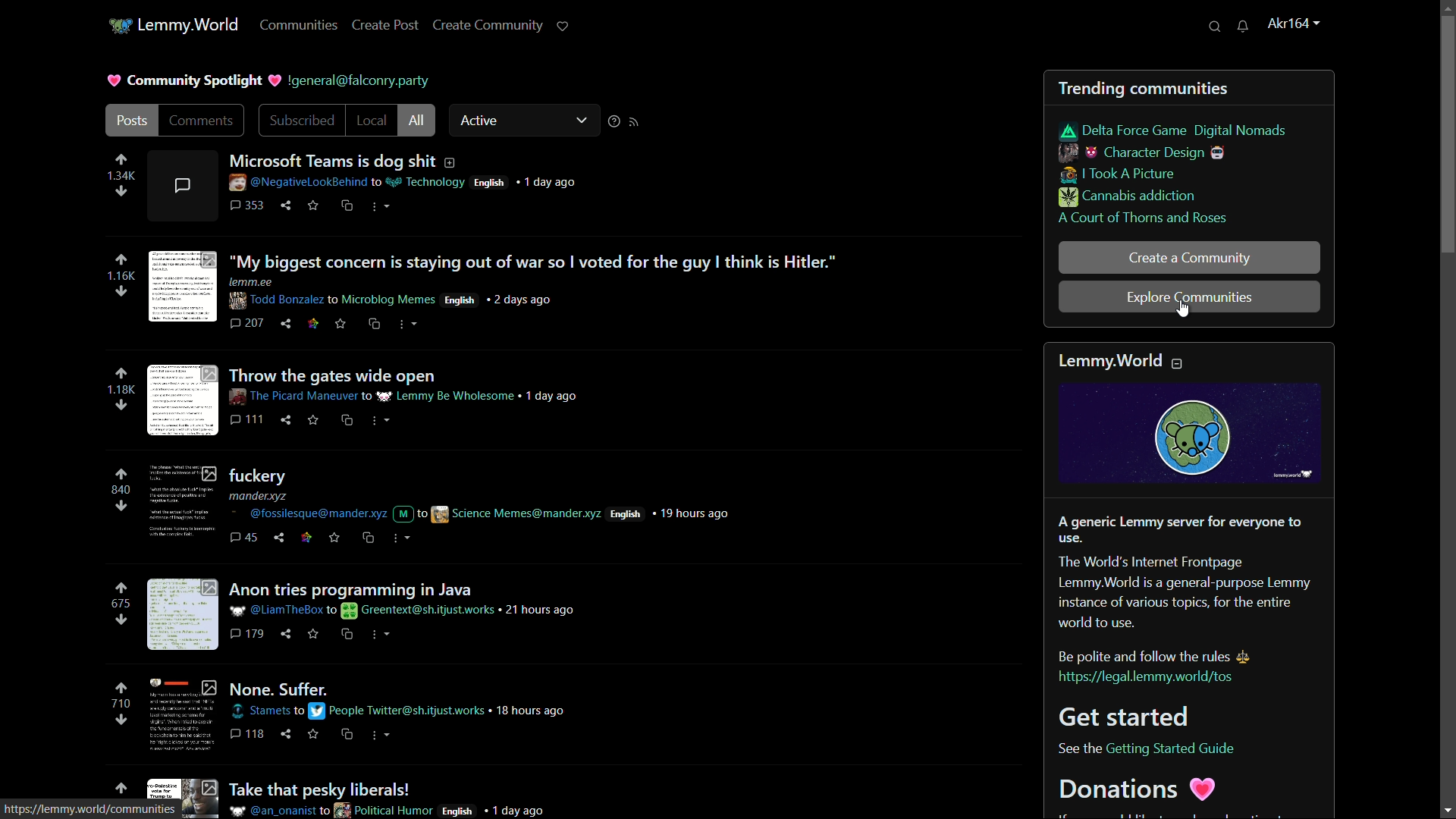  I want to click on community spotlight, so click(184, 83).